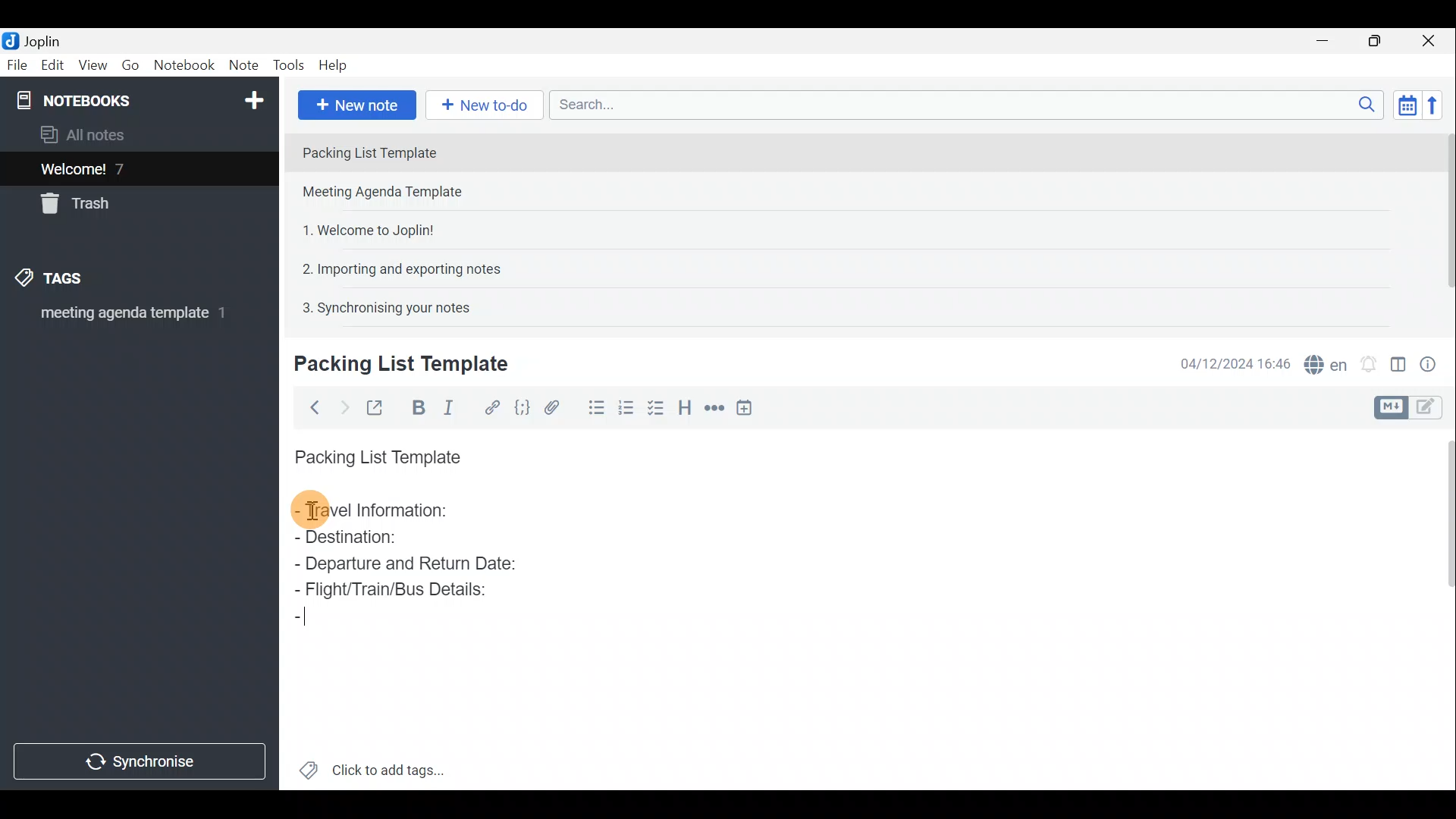 The width and height of the screenshot is (1456, 819). I want to click on Notebook, so click(184, 67).